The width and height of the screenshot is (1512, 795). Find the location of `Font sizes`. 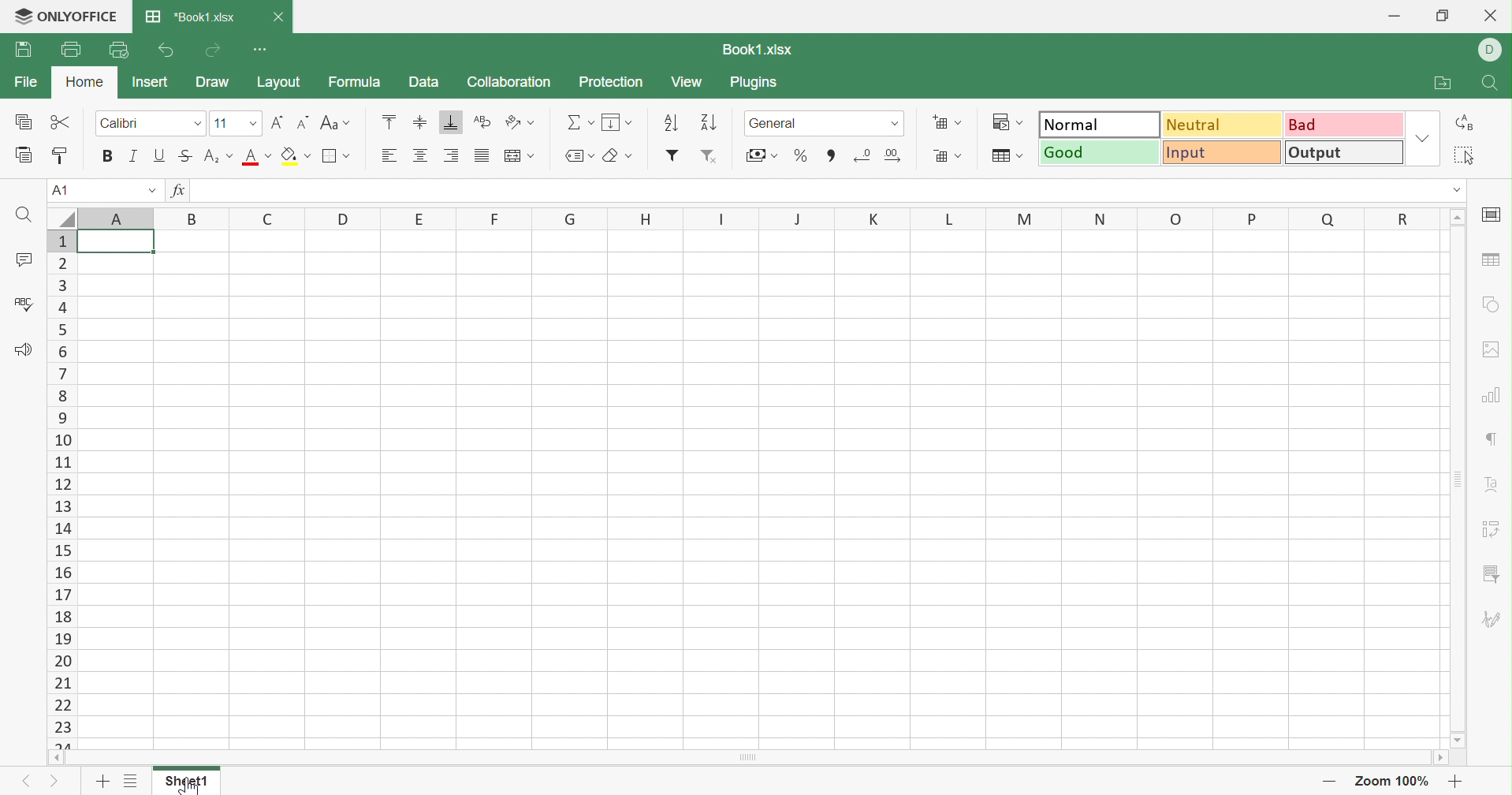

Font sizes is located at coordinates (251, 125).